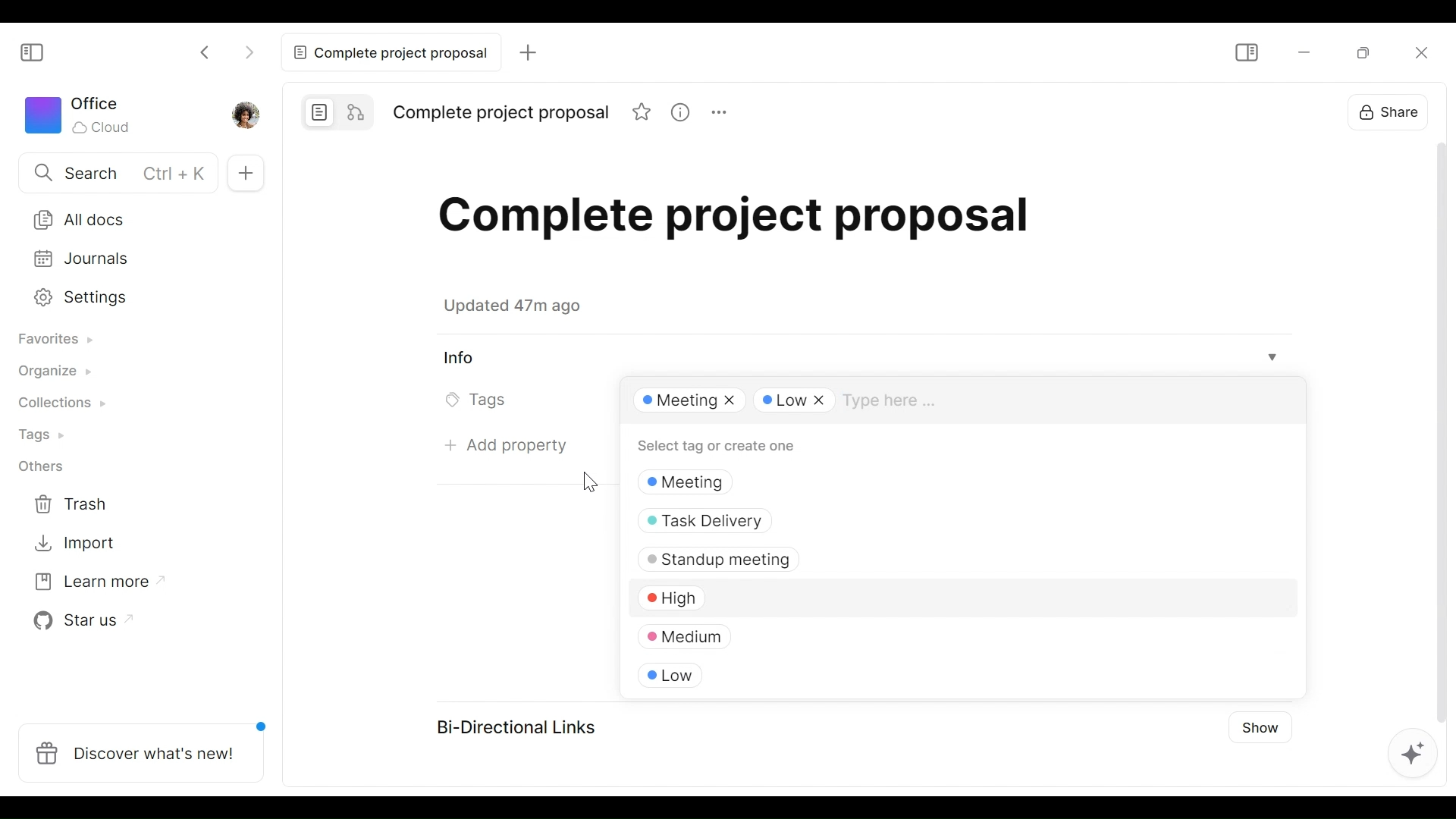  I want to click on Star us, so click(80, 623).